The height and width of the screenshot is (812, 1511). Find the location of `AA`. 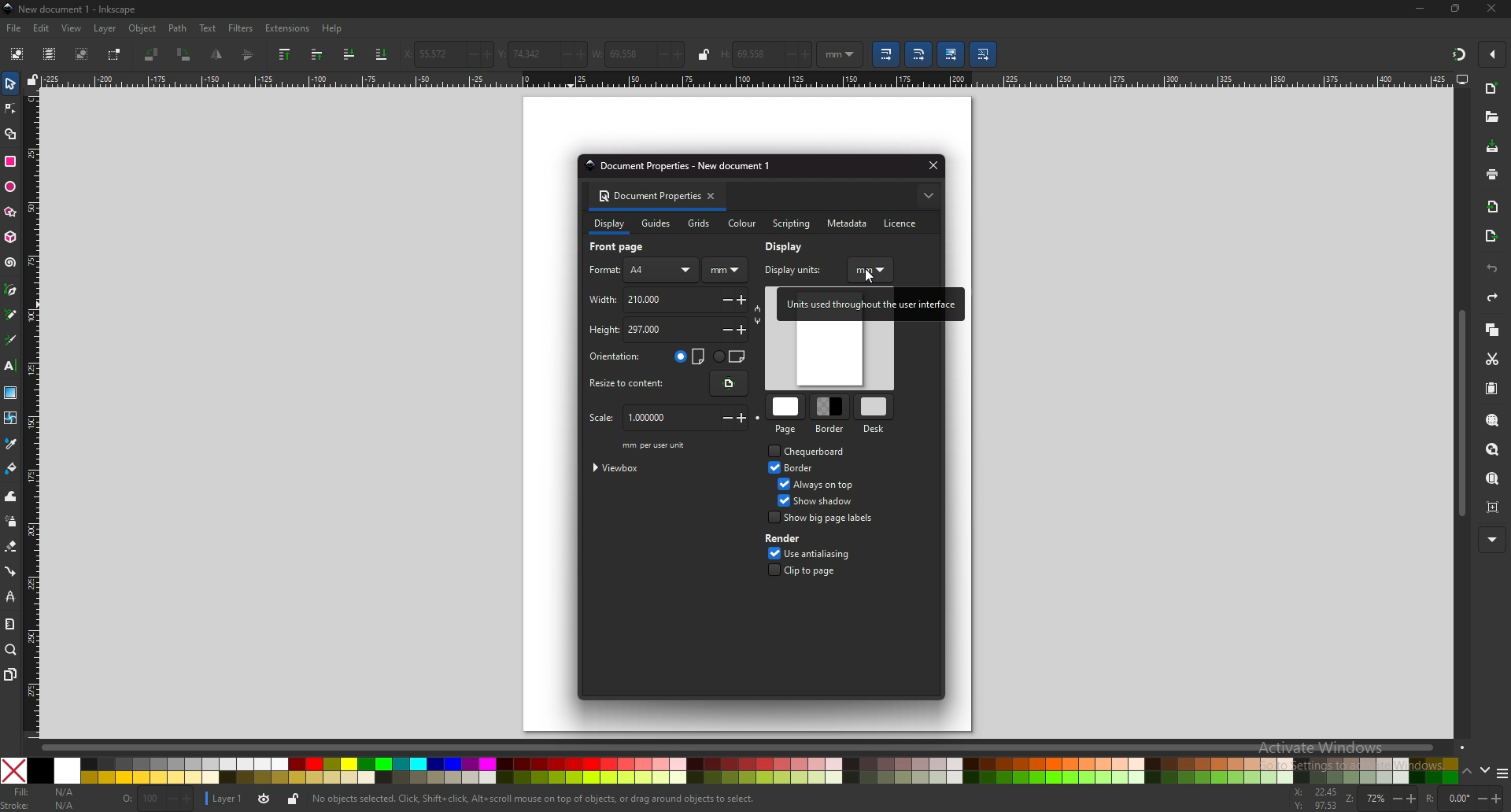

AA is located at coordinates (663, 270).